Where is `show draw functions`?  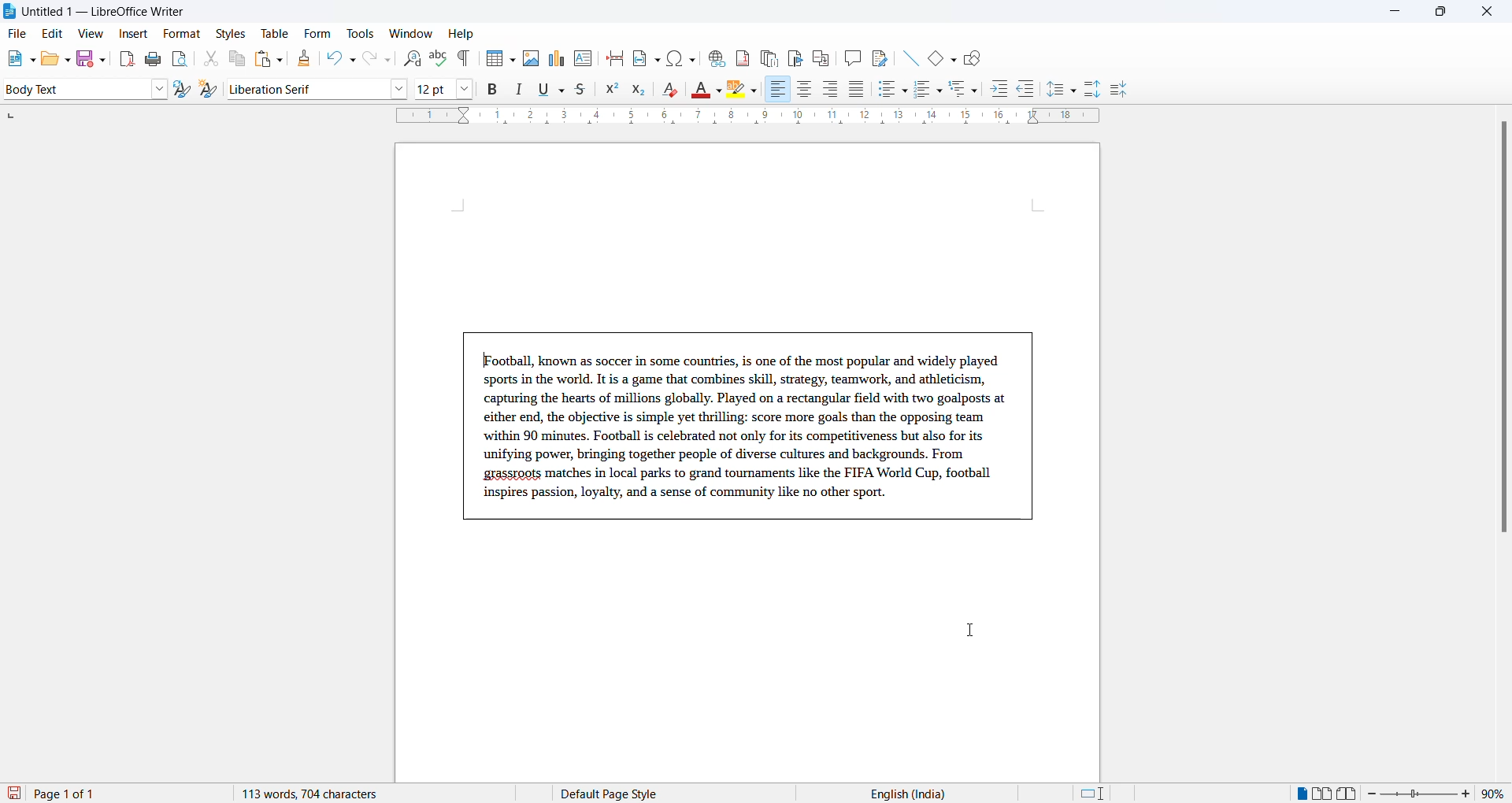 show draw functions is located at coordinates (976, 57).